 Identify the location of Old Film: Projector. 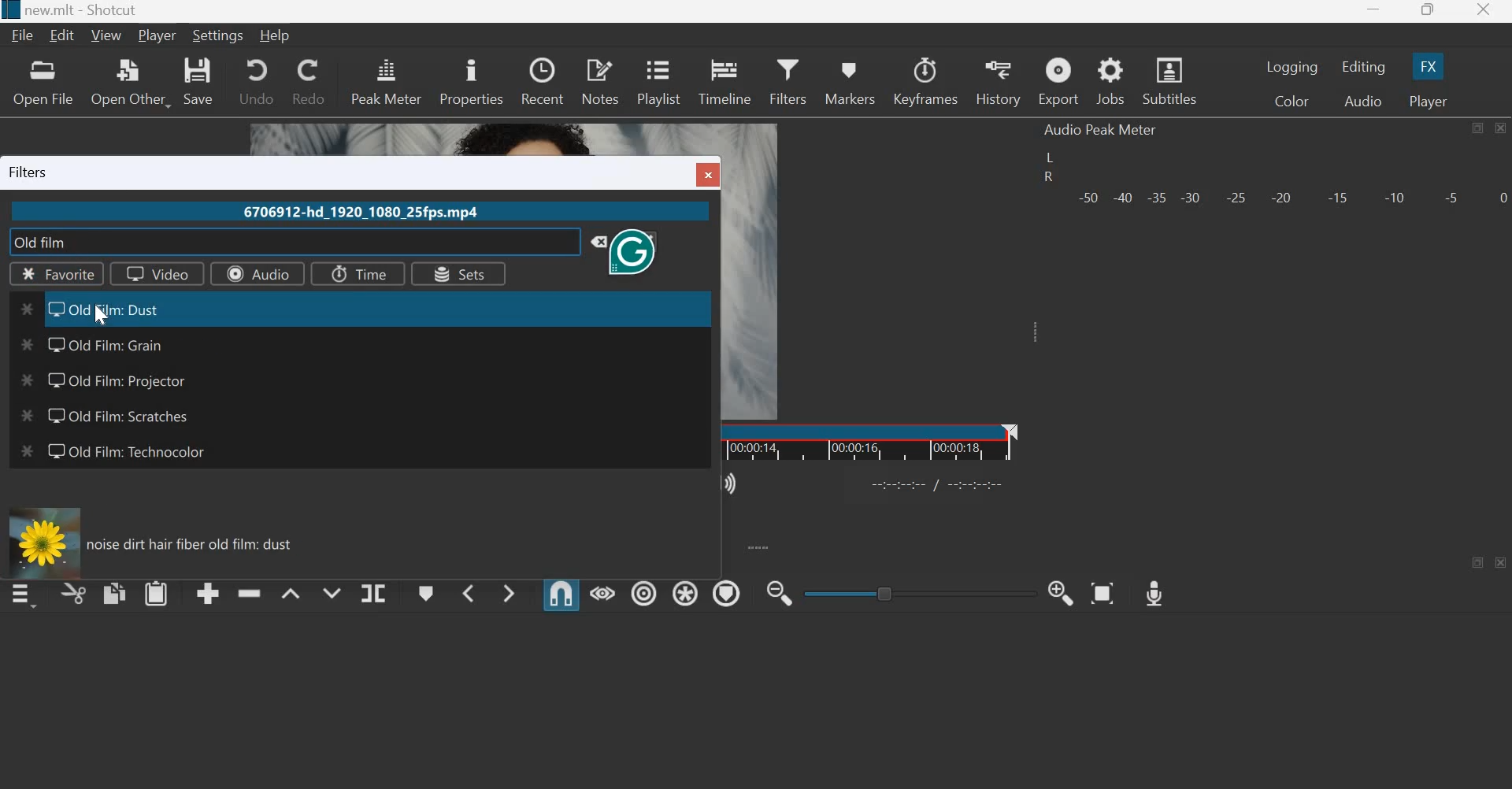
(131, 379).